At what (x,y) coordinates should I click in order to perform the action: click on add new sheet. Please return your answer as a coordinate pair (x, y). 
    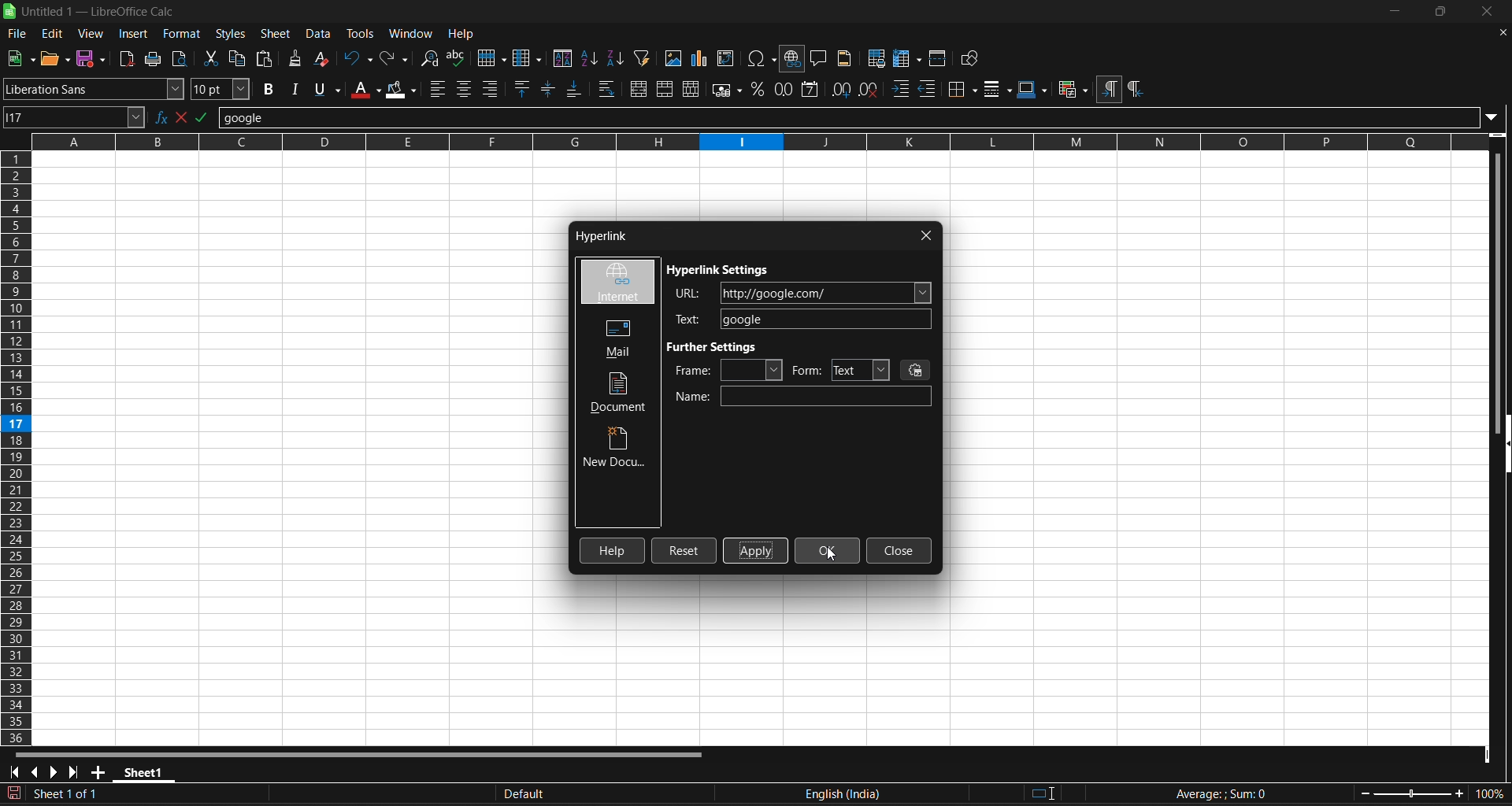
    Looking at the image, I should click on (97, 772).